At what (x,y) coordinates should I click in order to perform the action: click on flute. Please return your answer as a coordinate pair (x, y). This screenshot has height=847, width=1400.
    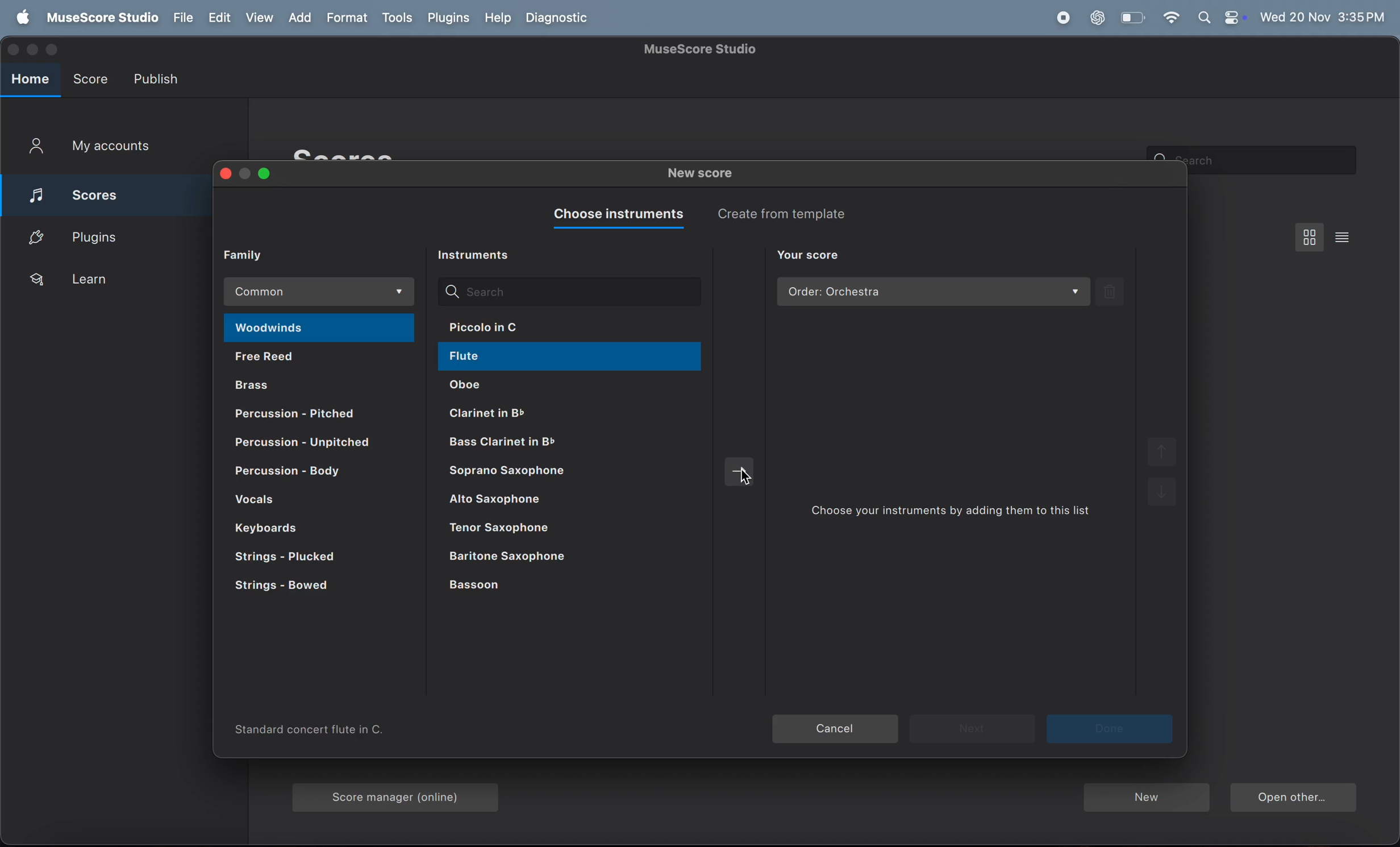
    Looking at the image, I should click on (545, 359).